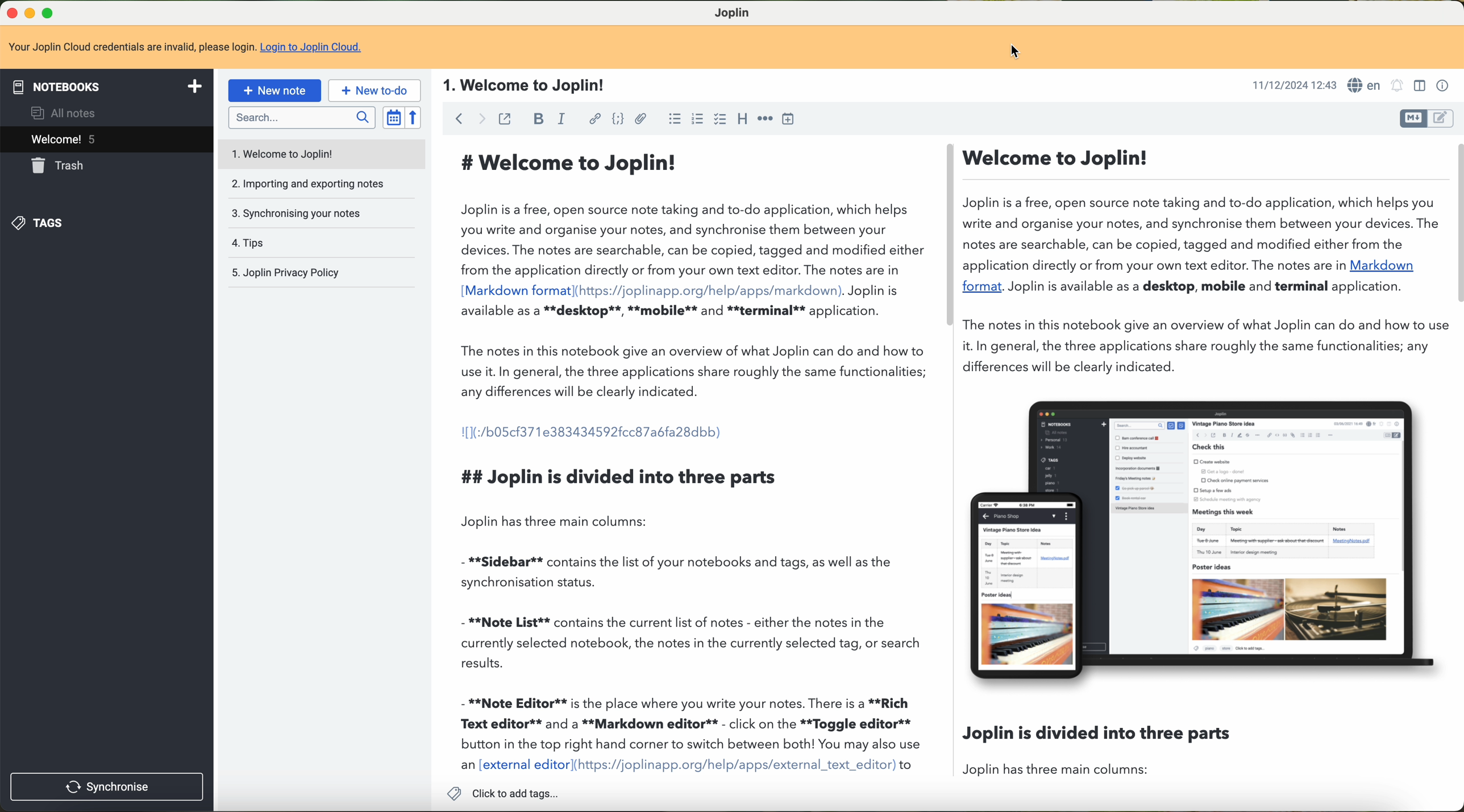 The width and height of the screenshot is (1464, 812). What do you see at coordinates (519, 84) in the screenshot?
I see `Title welcome to joplin!` at bounding box center [519, 84].